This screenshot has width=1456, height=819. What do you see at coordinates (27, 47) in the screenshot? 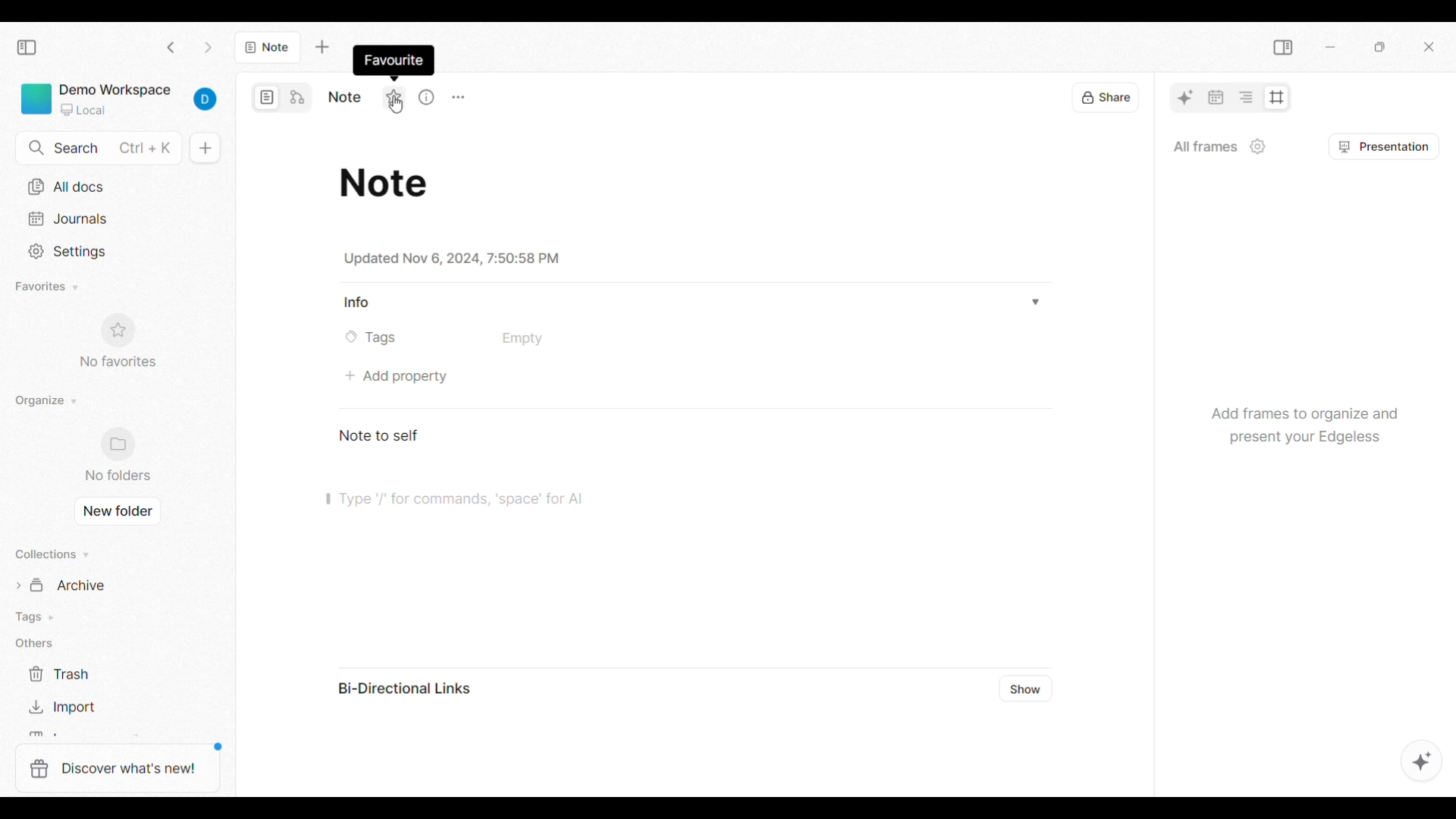
I see `Collapse left sidebar` at bounding box center [27, 47].